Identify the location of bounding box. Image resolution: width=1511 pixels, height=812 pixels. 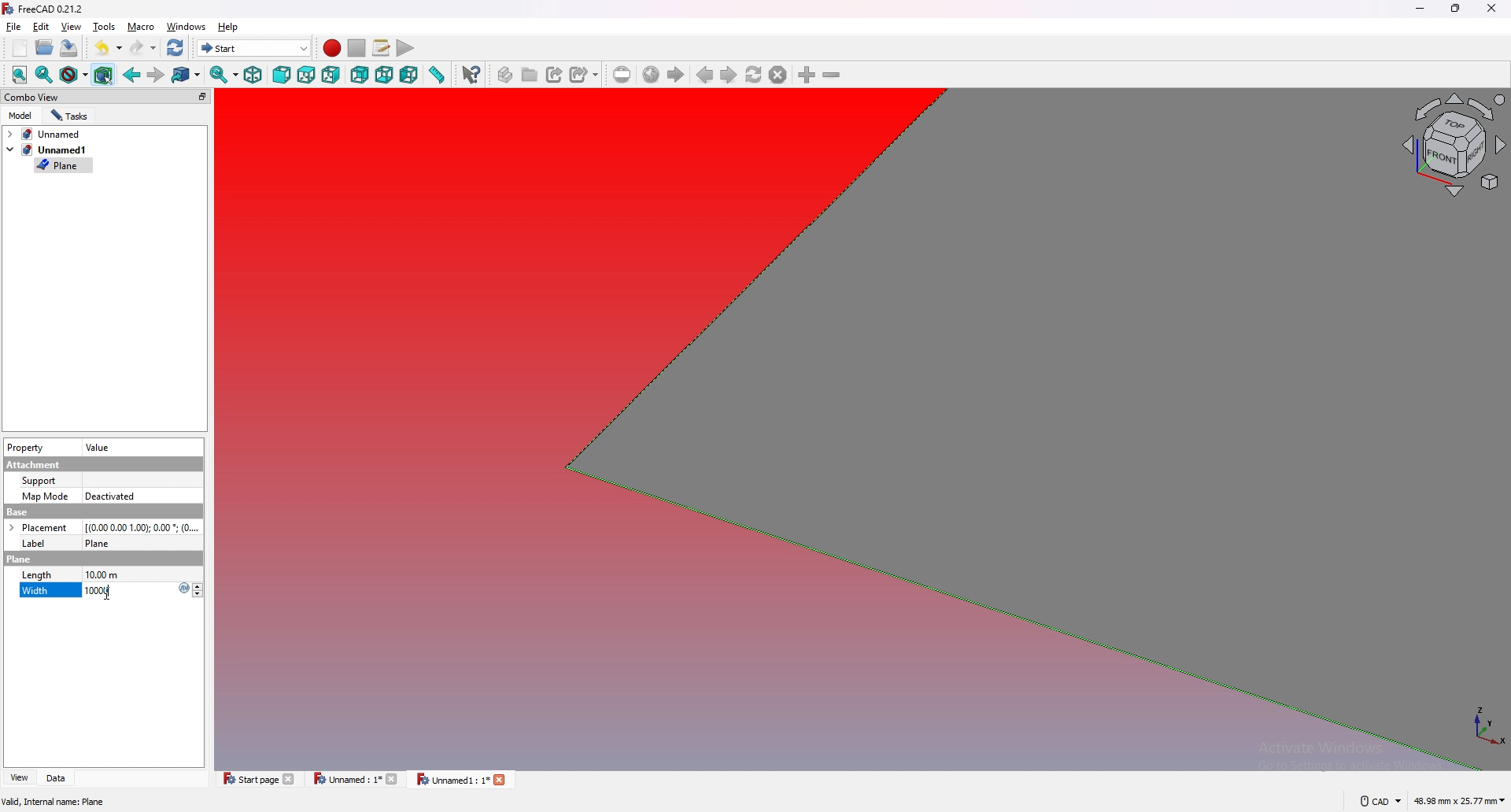
(104, 75).